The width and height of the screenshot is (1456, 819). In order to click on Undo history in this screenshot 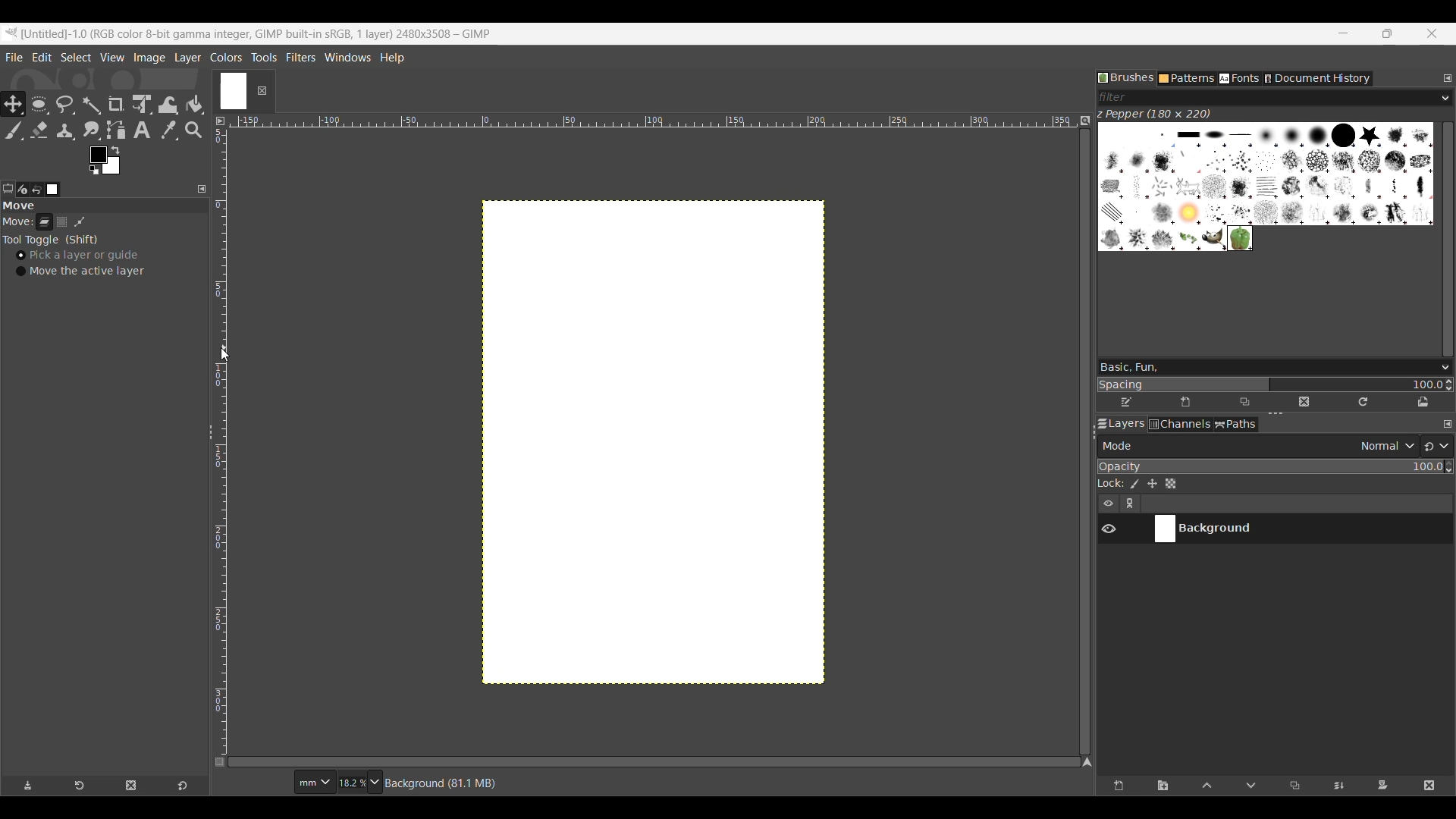, I will do `click(36, 190)`.